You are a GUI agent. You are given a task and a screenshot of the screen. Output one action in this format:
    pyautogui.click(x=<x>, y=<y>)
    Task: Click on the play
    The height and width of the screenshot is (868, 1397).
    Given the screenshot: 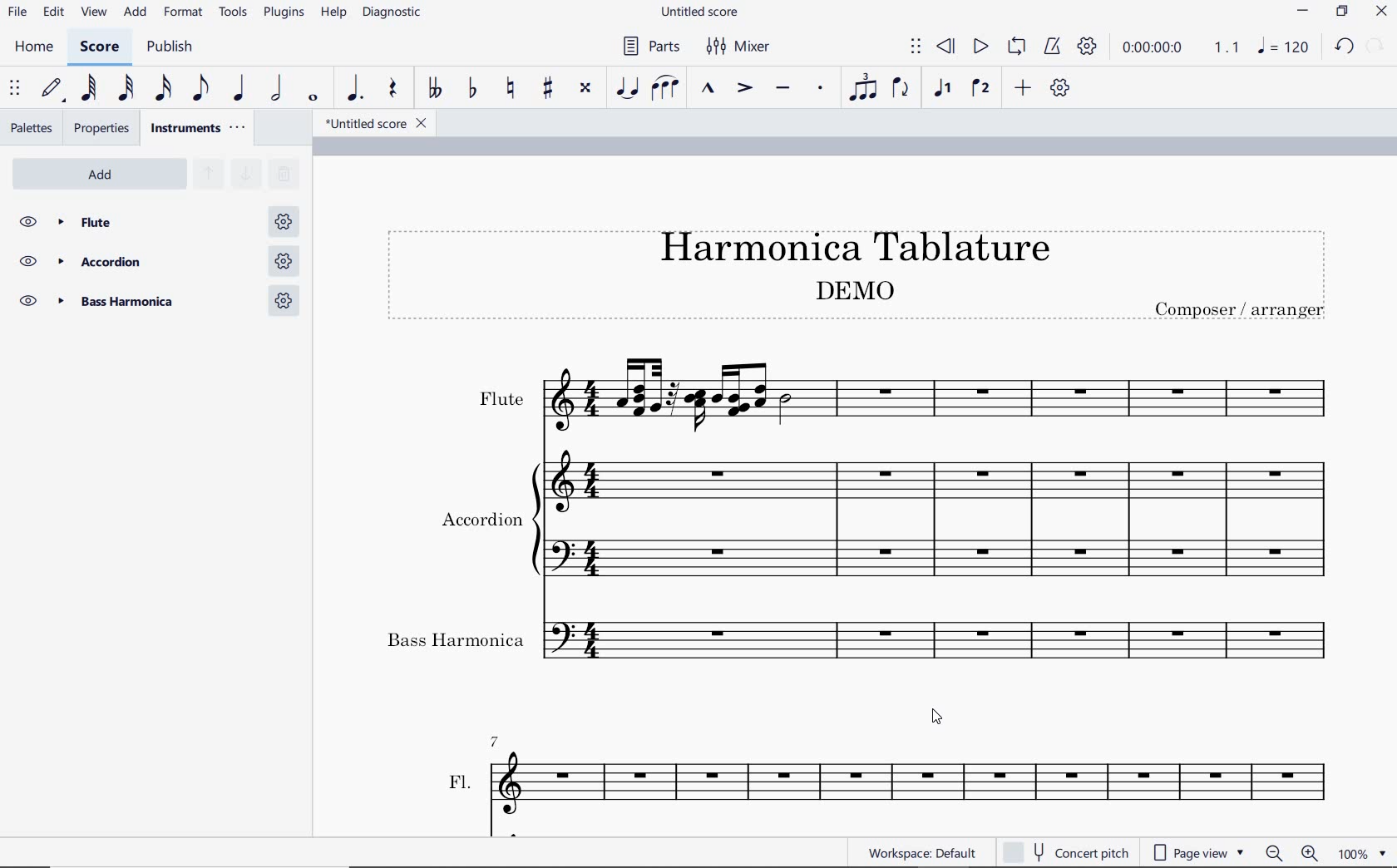 What is the action you would take?
    pyautogui.click(x=980, y=49)
    